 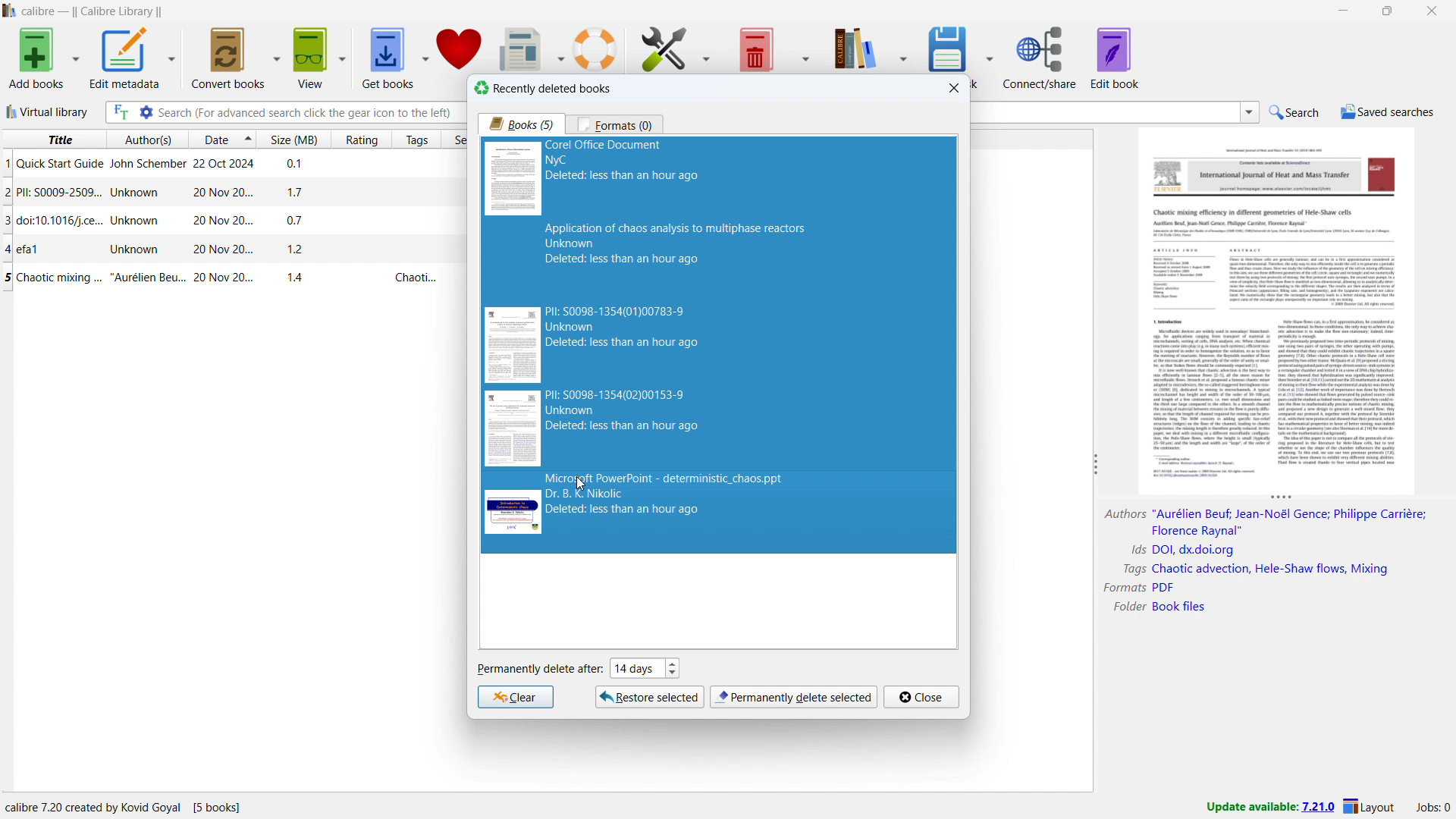 I want to click on resize, so click(x=1282, y=498).